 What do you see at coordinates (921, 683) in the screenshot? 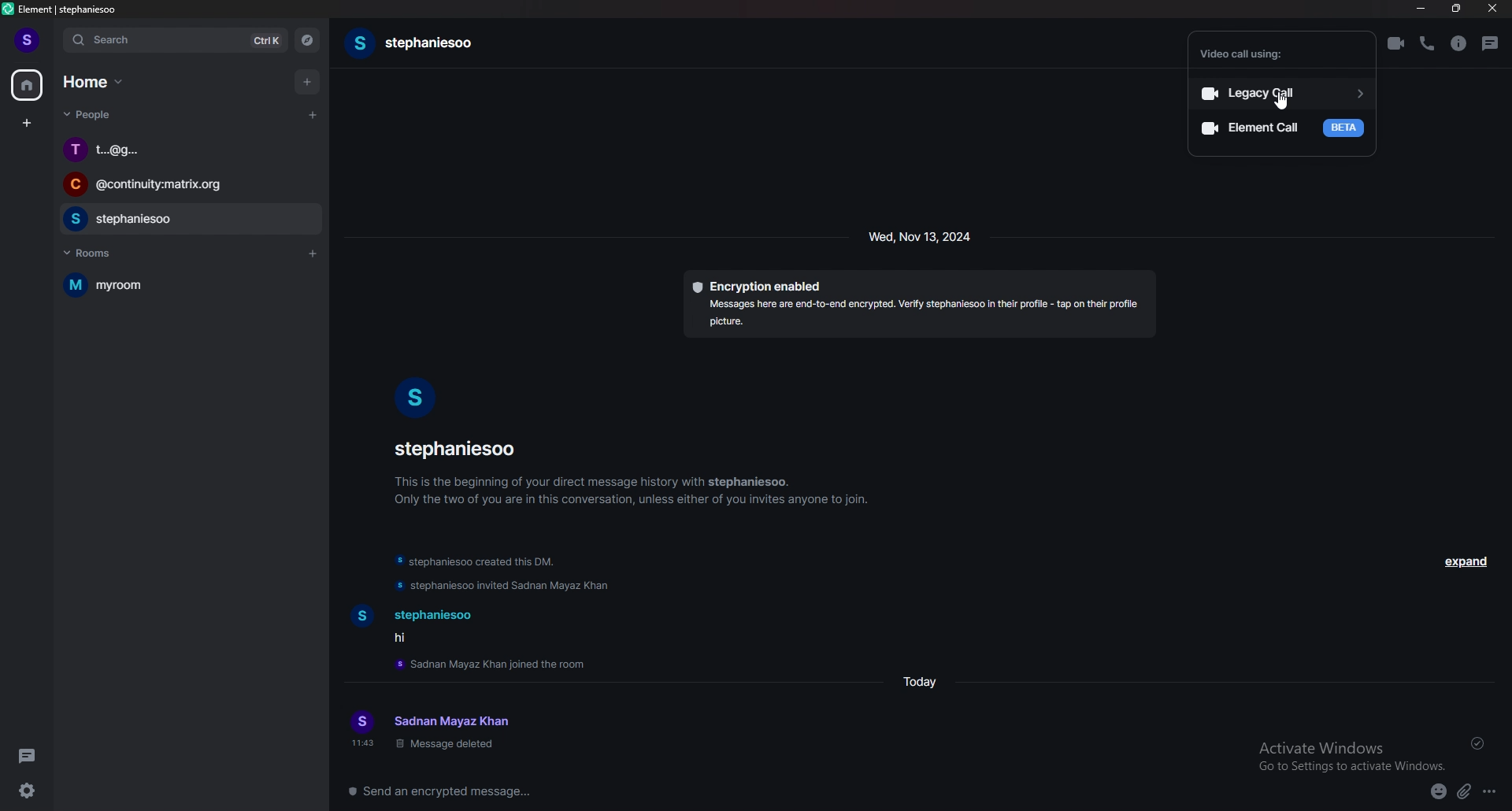
I see `time` at bounding box center [921, 683].